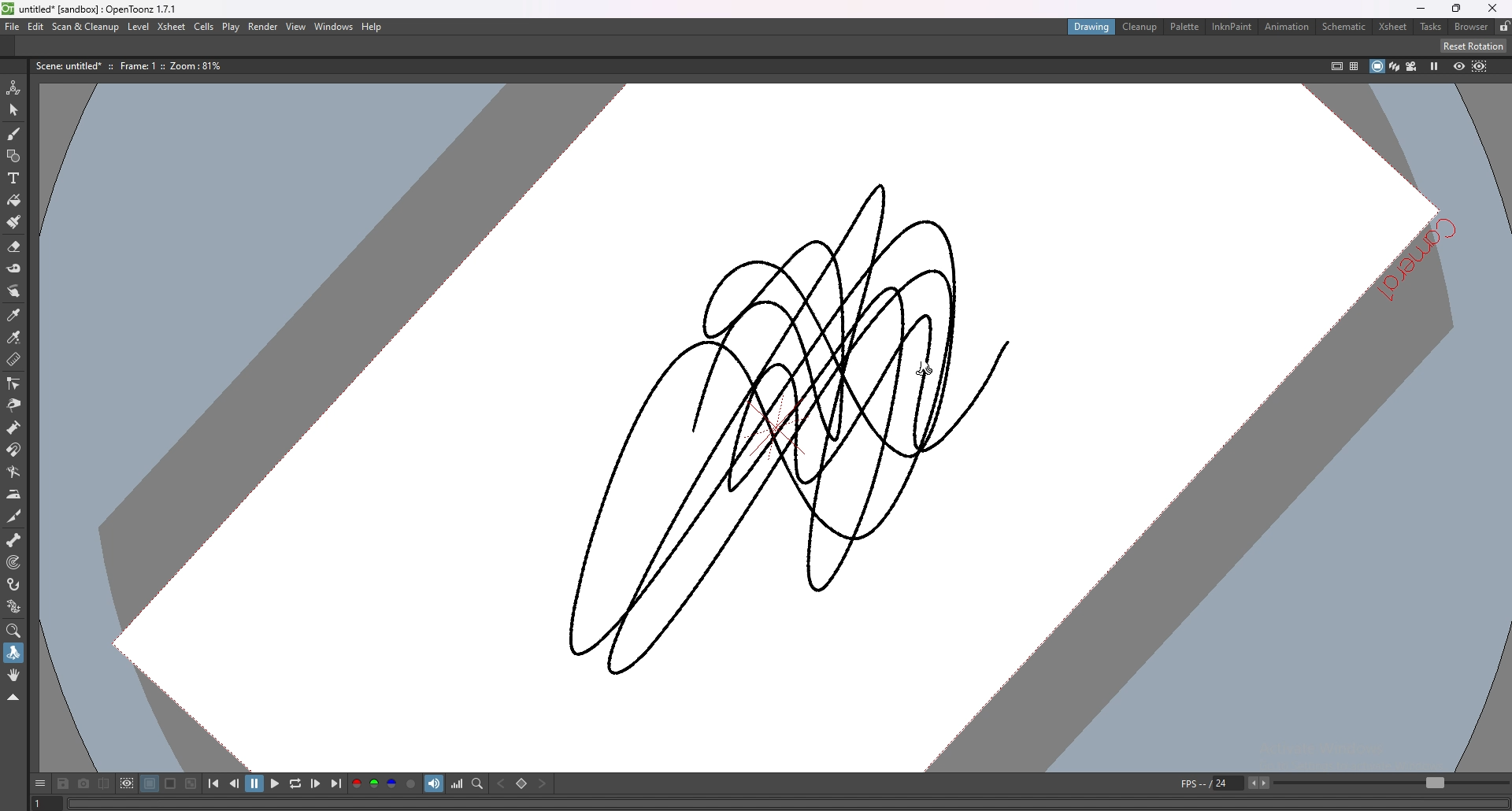  What do you see at coordinates (85, 27) in the screenshot?
I see `scan and cleanup` at bounding box center [85, 27].